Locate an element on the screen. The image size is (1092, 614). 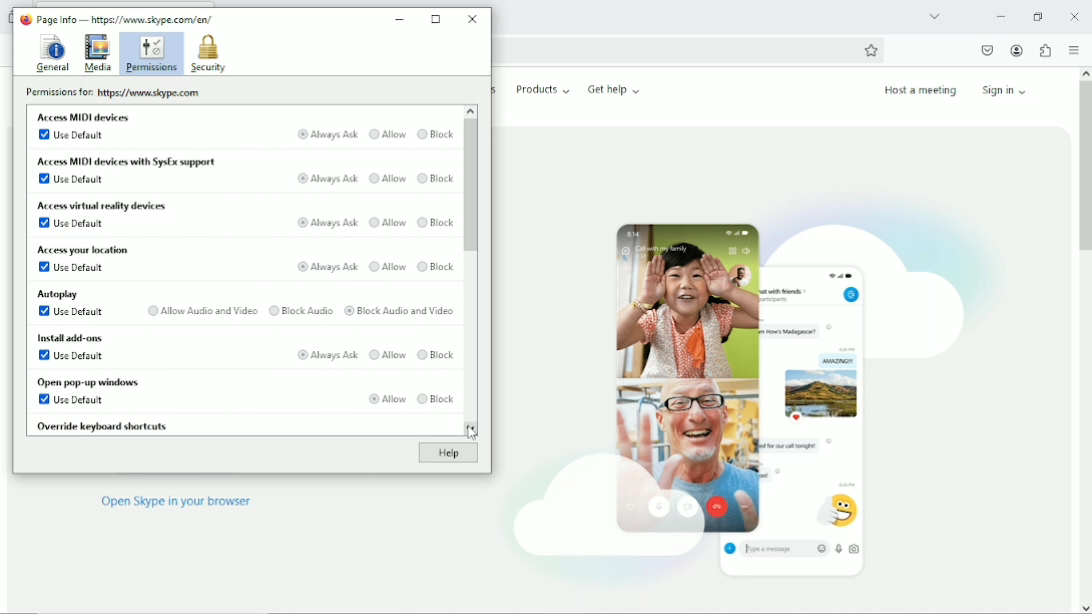
Use default is located at coordinates (72, 225).